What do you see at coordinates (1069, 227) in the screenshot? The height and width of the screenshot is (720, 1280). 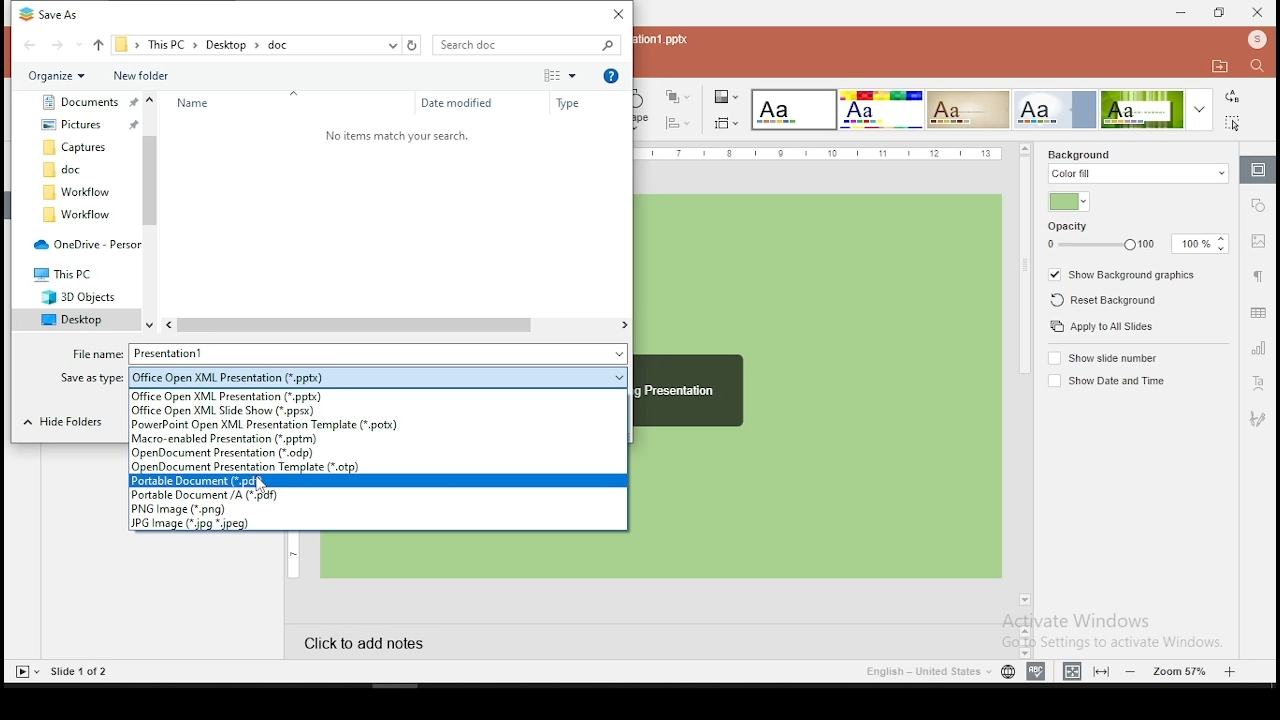 I see `opacity` at bounding box center [1069, 227].